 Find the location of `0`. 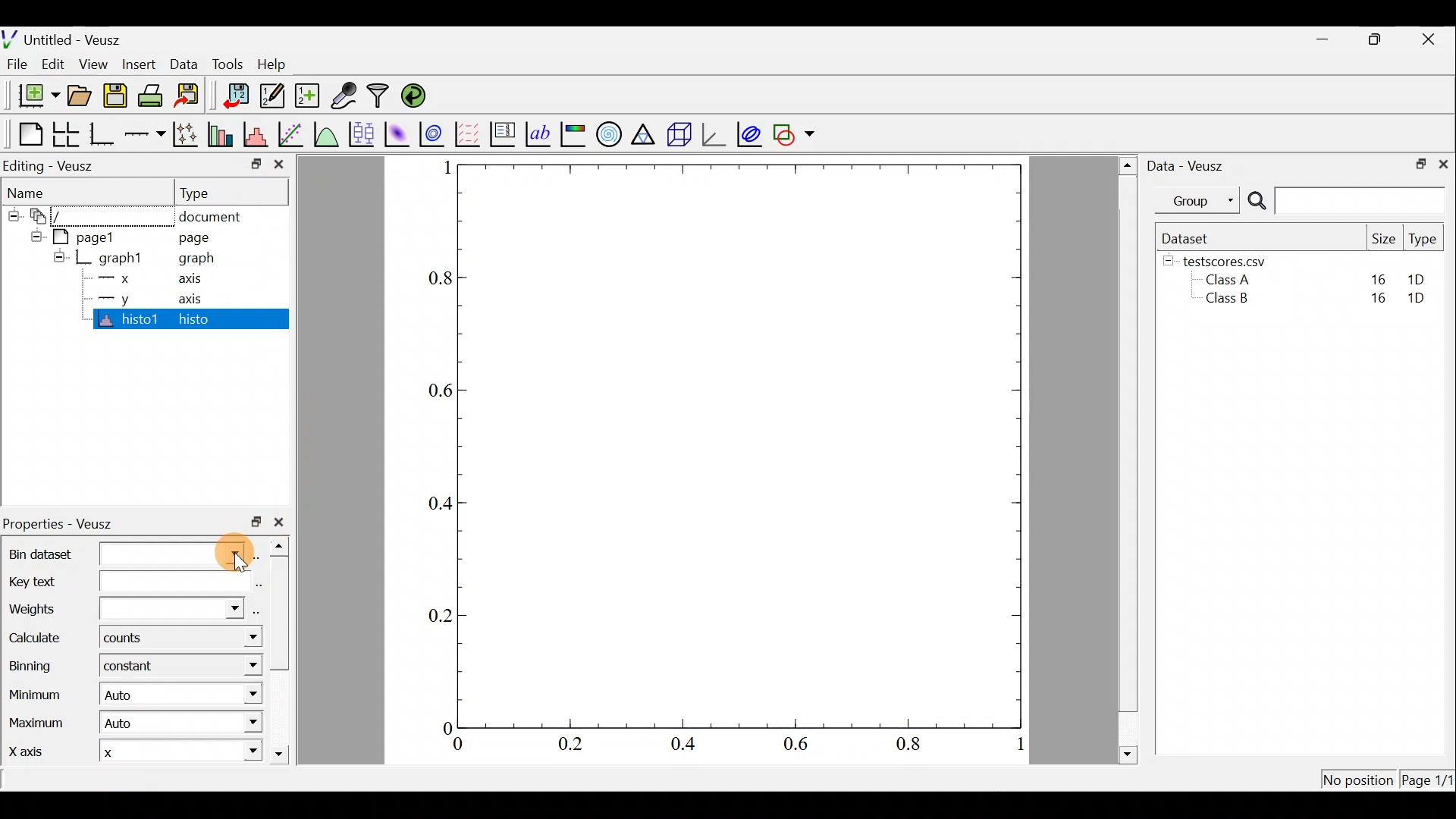

0 is located at coordinates (460, 745).